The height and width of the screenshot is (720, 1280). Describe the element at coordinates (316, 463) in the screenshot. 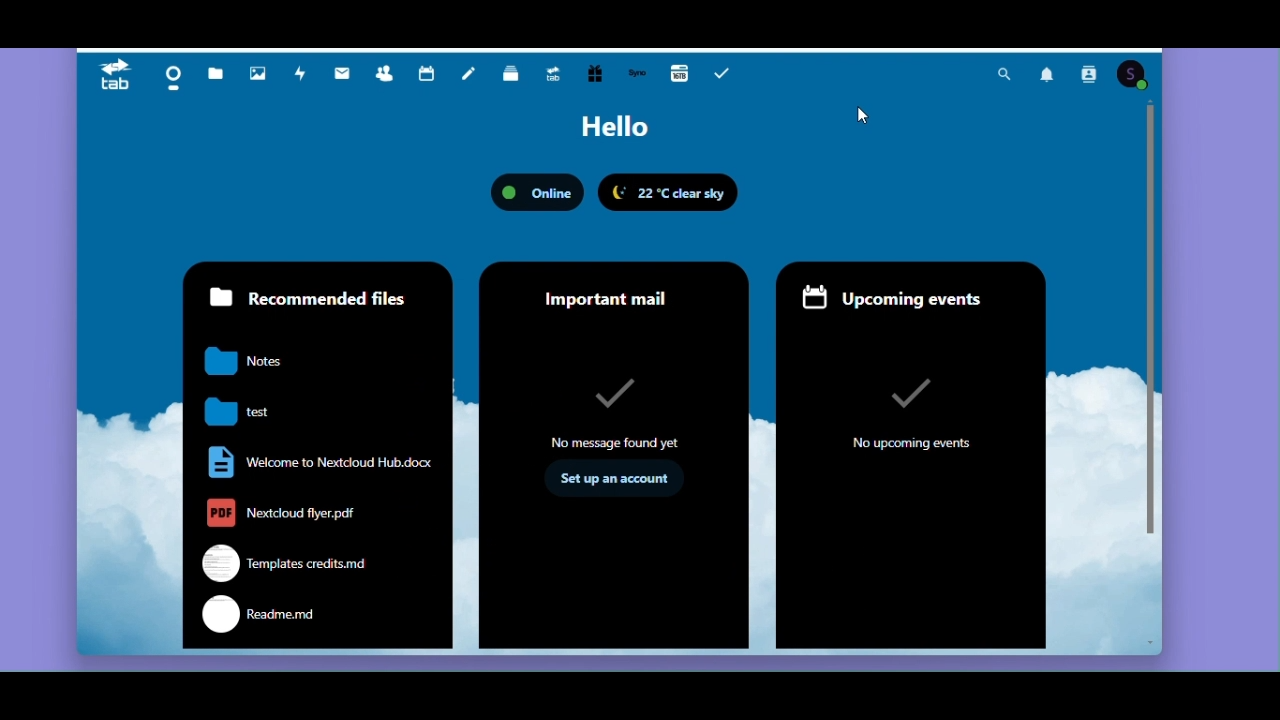

I see `welcome to nextcloud` at that location.